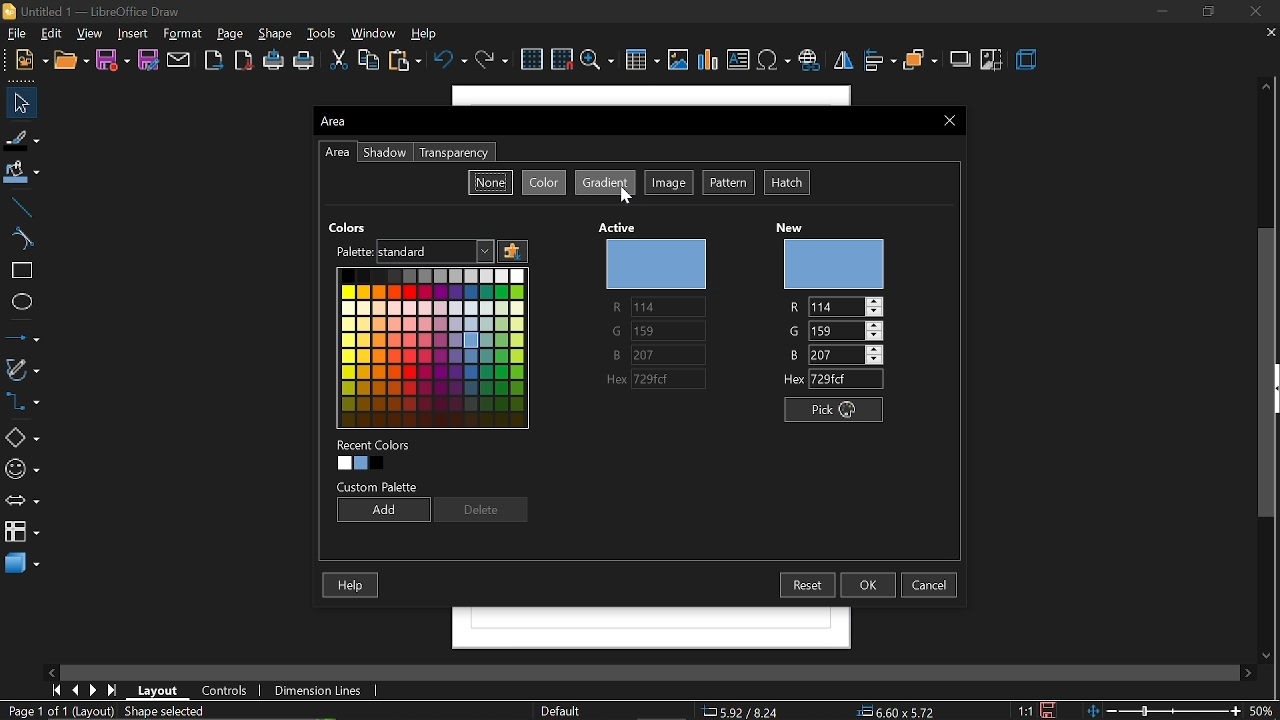  I want to click on image, so click(670, 184).